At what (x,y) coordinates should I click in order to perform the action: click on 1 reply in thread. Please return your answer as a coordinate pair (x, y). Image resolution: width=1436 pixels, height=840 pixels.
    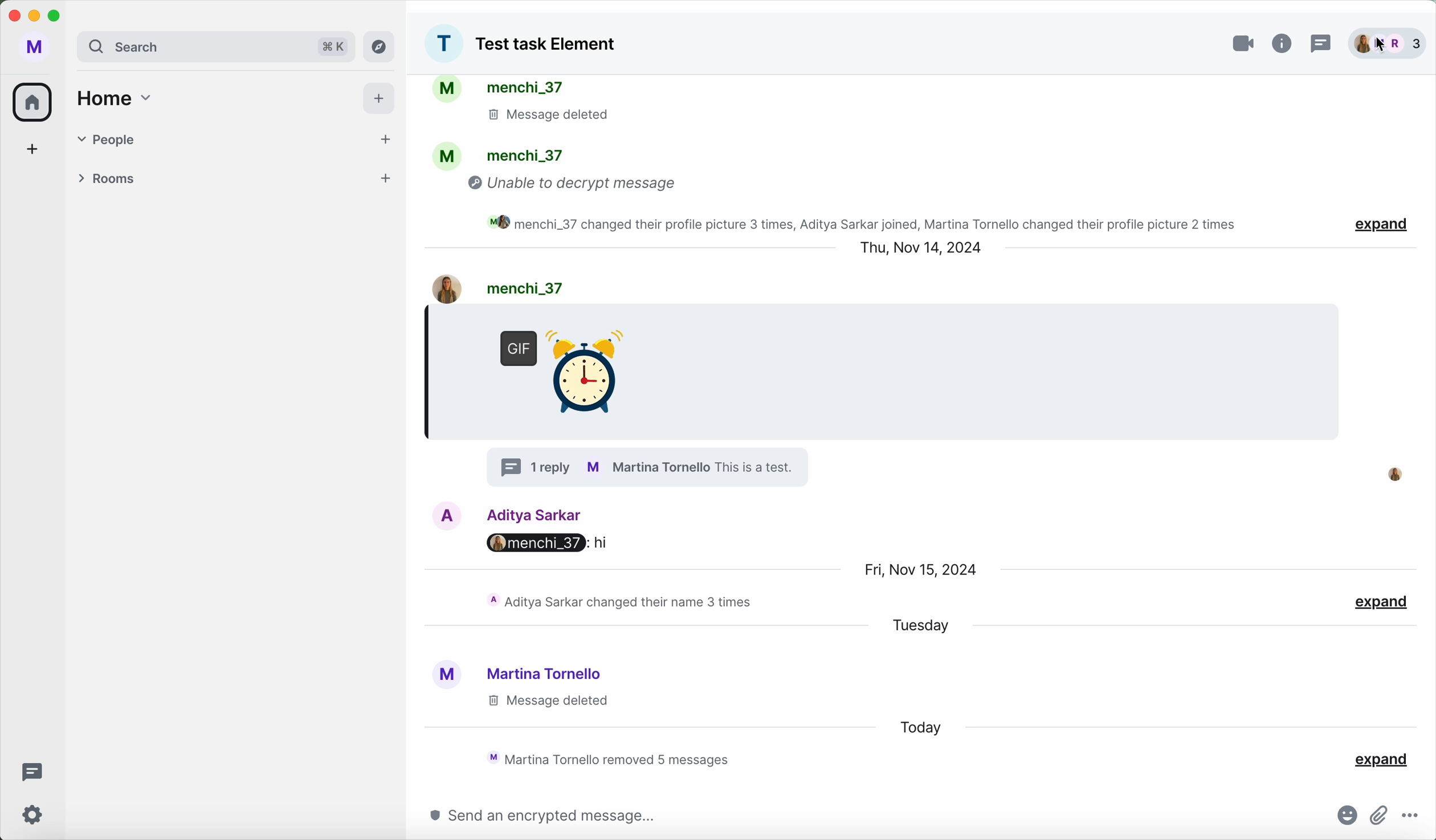
    Looking at the image, I should click on (531, 467).